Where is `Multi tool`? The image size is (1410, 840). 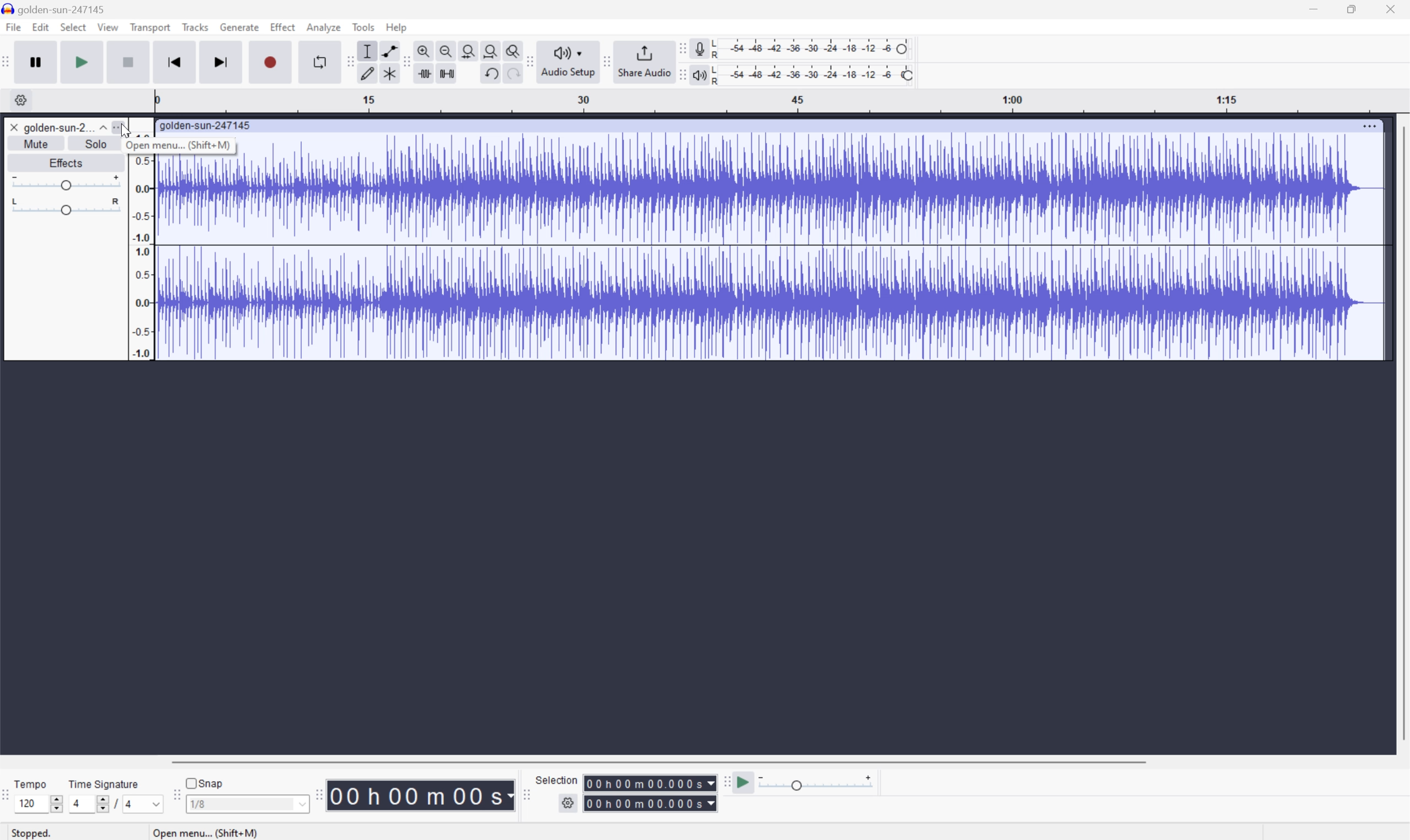 Multi tool is located at coordinates (389, 72).